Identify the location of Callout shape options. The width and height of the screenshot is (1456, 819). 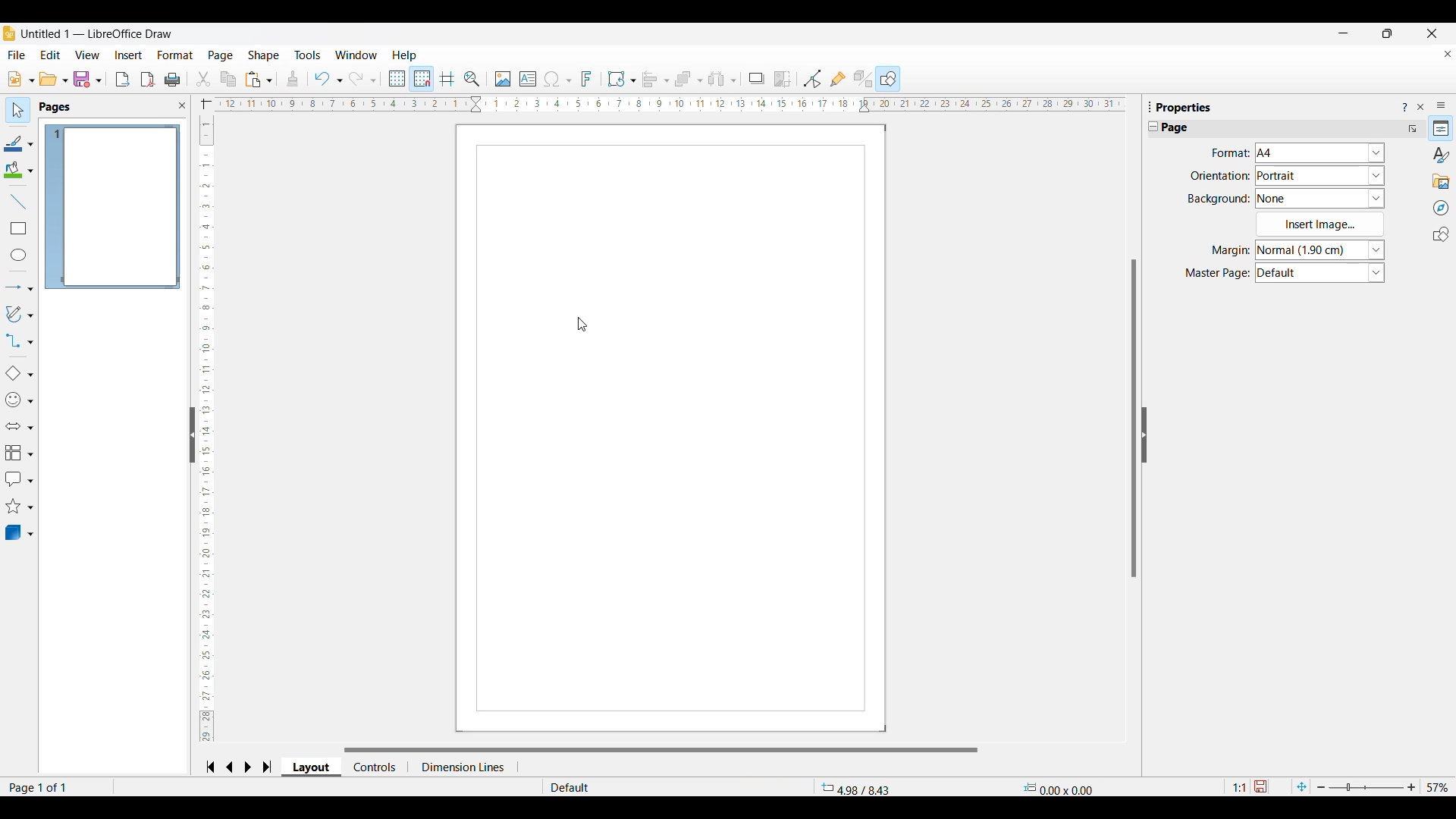
(19, 479).